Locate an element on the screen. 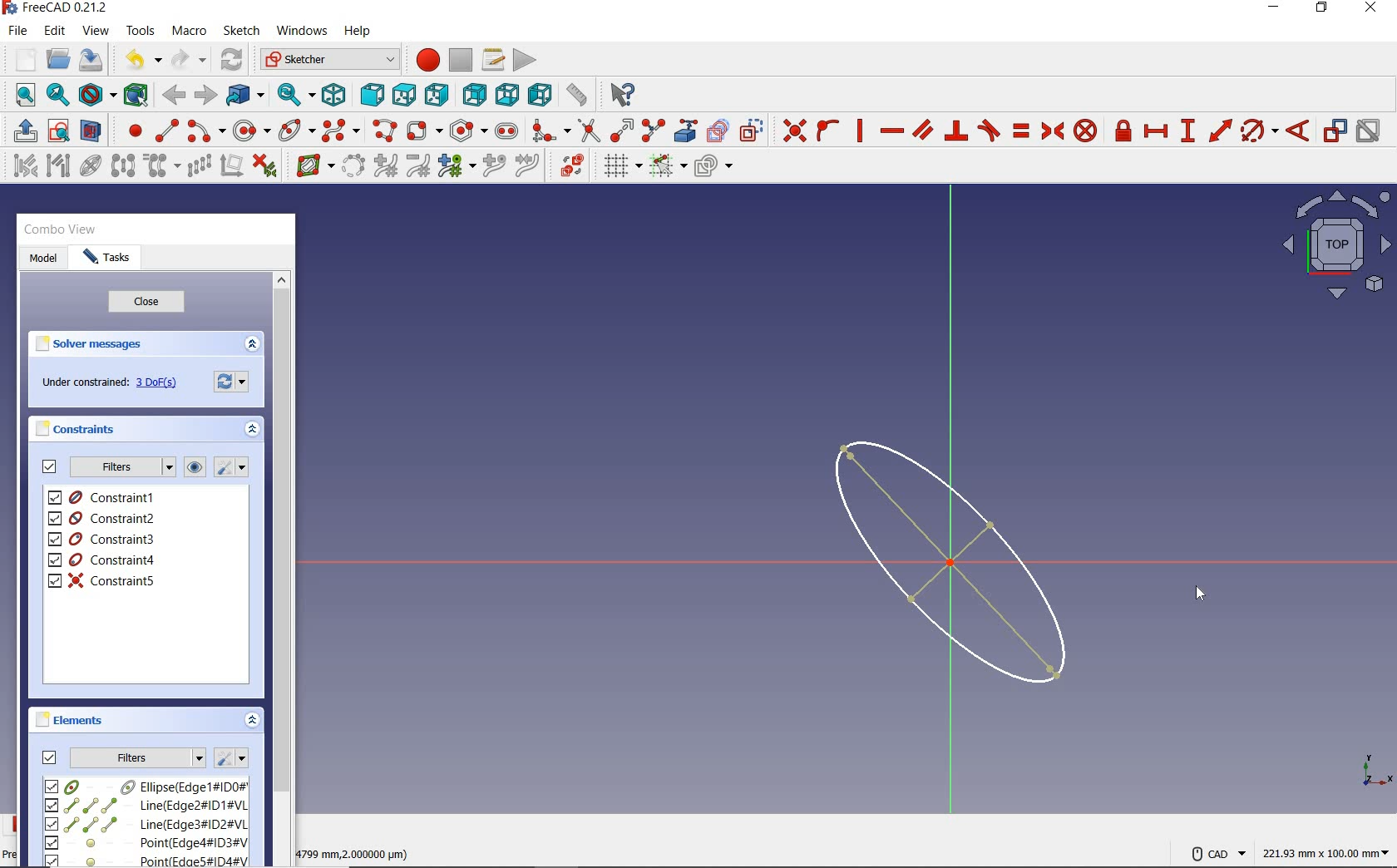  save is located at coordinates (90, 60).